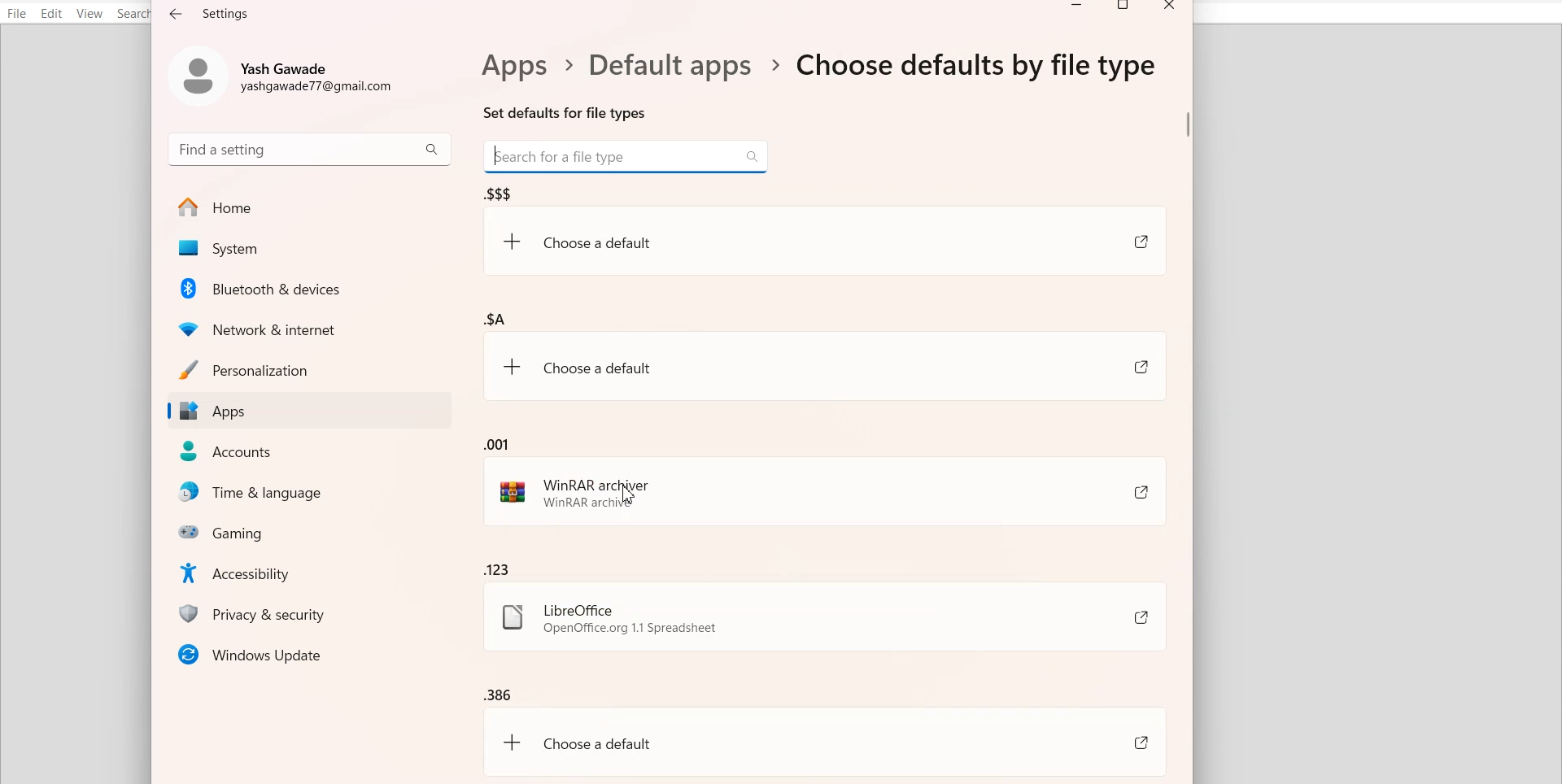 Image resolution: width=1562 pixels, height=784 pixels. I want to click on Personalization, so click(308, 369).